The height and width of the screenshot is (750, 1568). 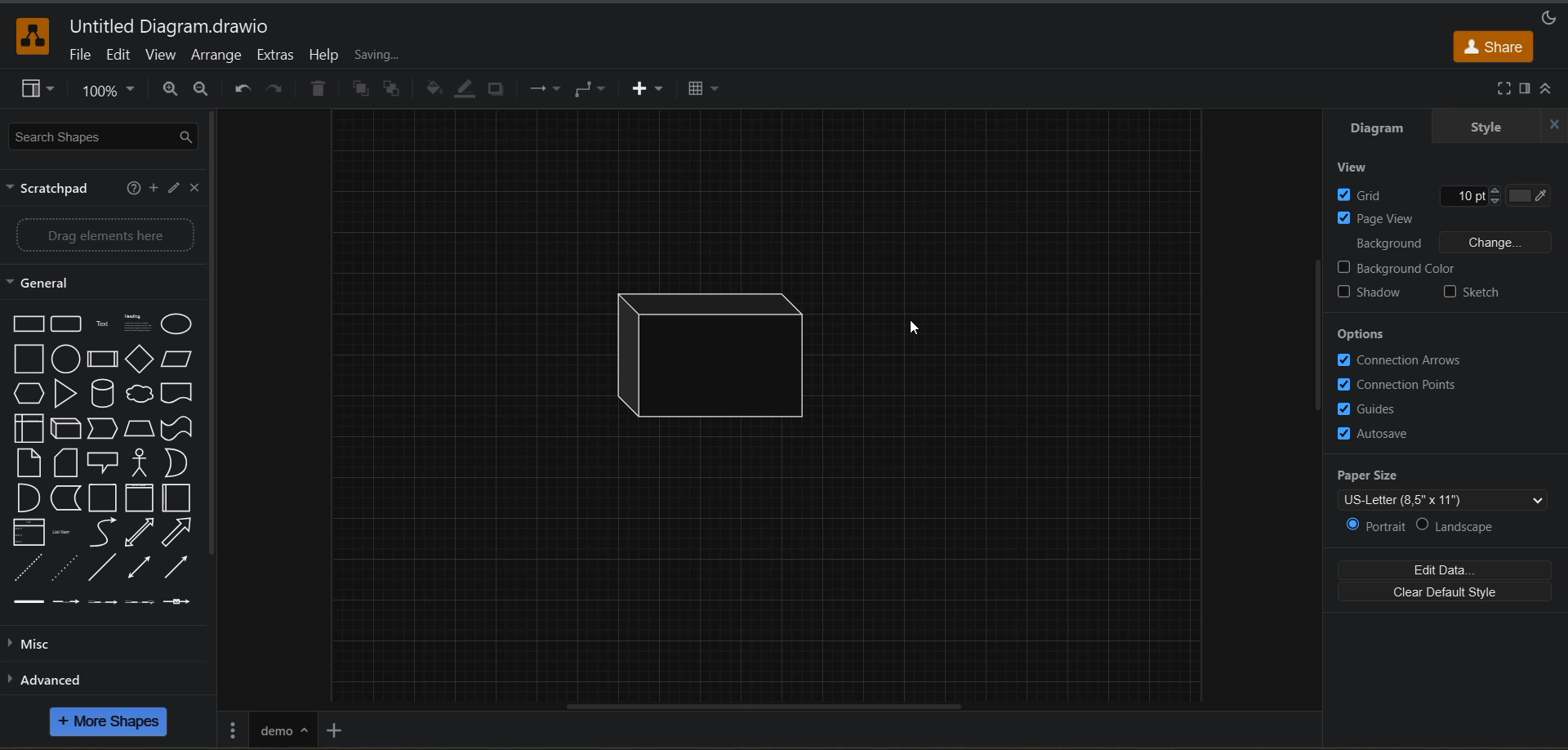 I want to click on line color, so click(x=469, y=90).